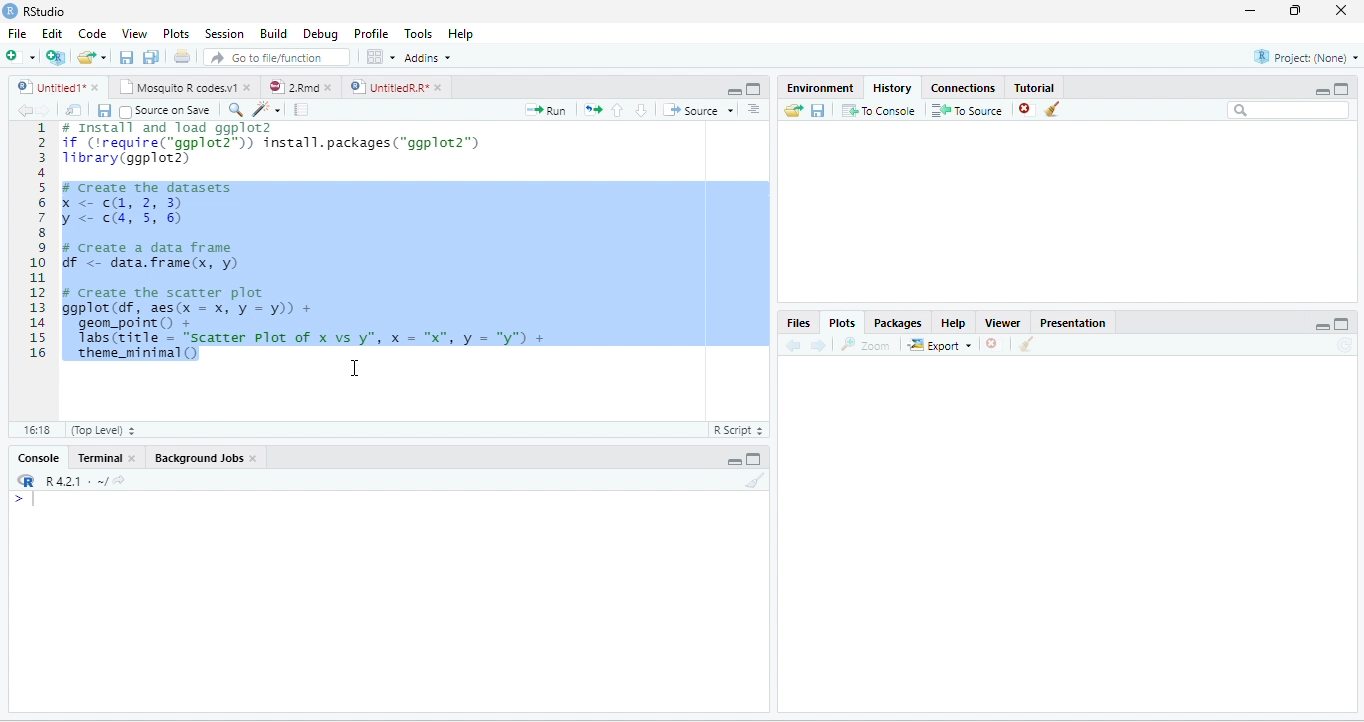 This screenshot has width=1364, height=722. I want to click on Go to previous section/chunk, so click(618, 110).